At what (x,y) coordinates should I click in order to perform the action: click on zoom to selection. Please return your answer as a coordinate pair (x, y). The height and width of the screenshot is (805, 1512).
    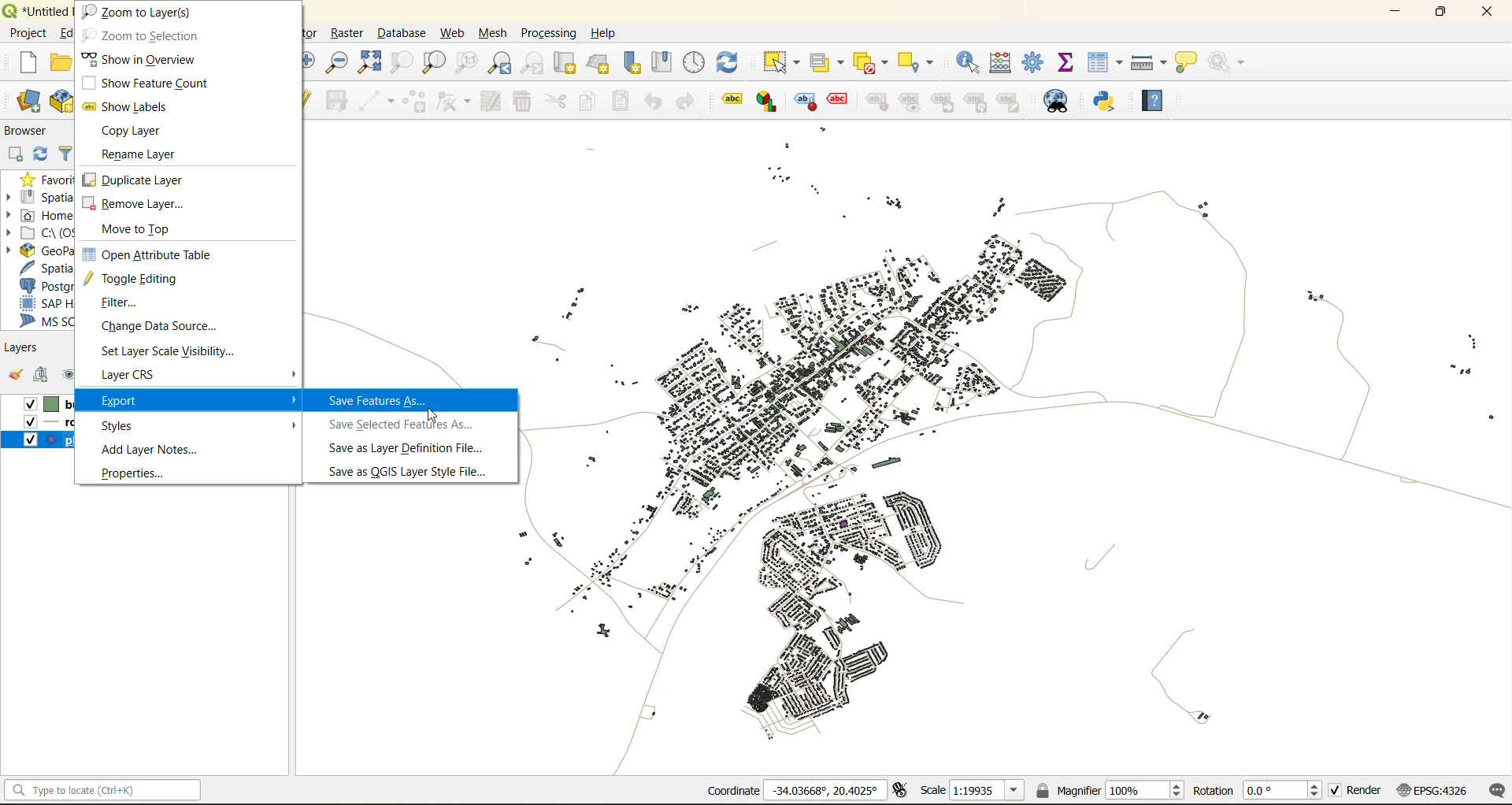
    Looking at the image, I should click on (140, 35).